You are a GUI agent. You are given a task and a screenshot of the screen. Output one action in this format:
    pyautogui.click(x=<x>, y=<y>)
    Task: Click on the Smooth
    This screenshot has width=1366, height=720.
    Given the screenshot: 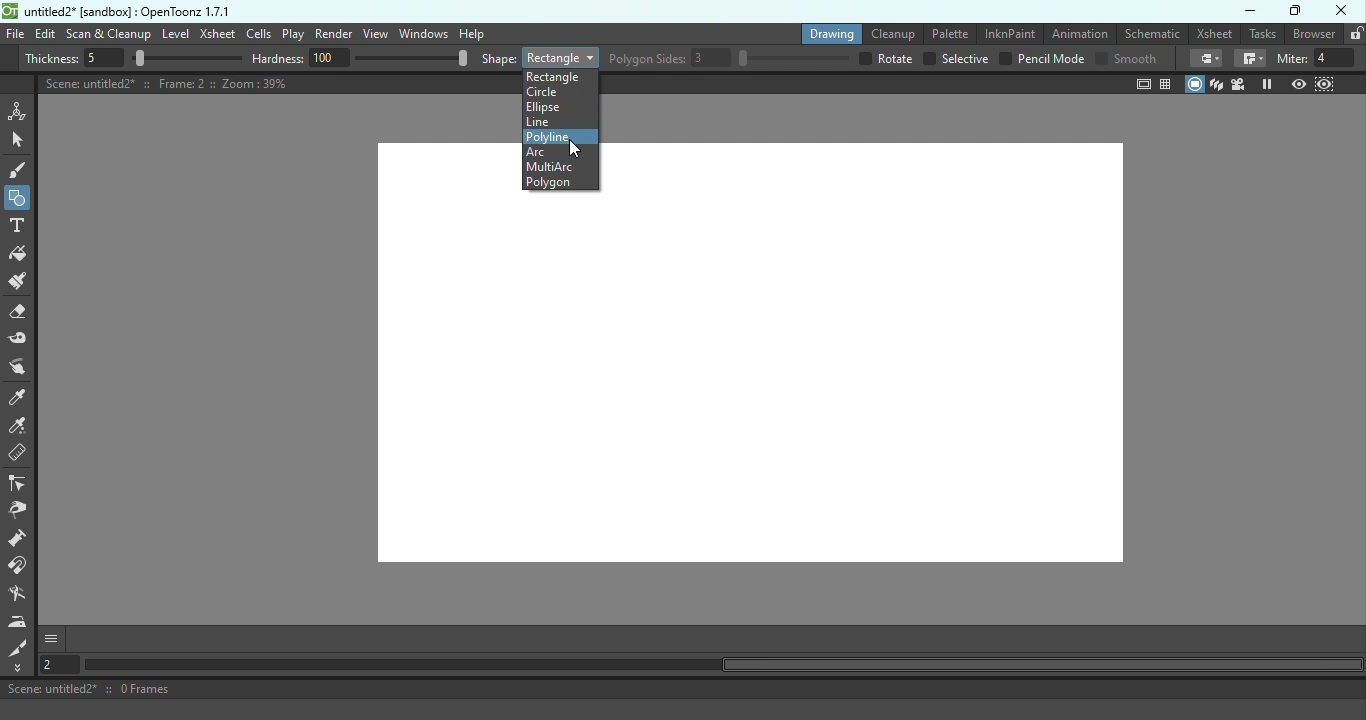 What is the action you would take?
    pyautogui.click(x=1128, y=59)
    